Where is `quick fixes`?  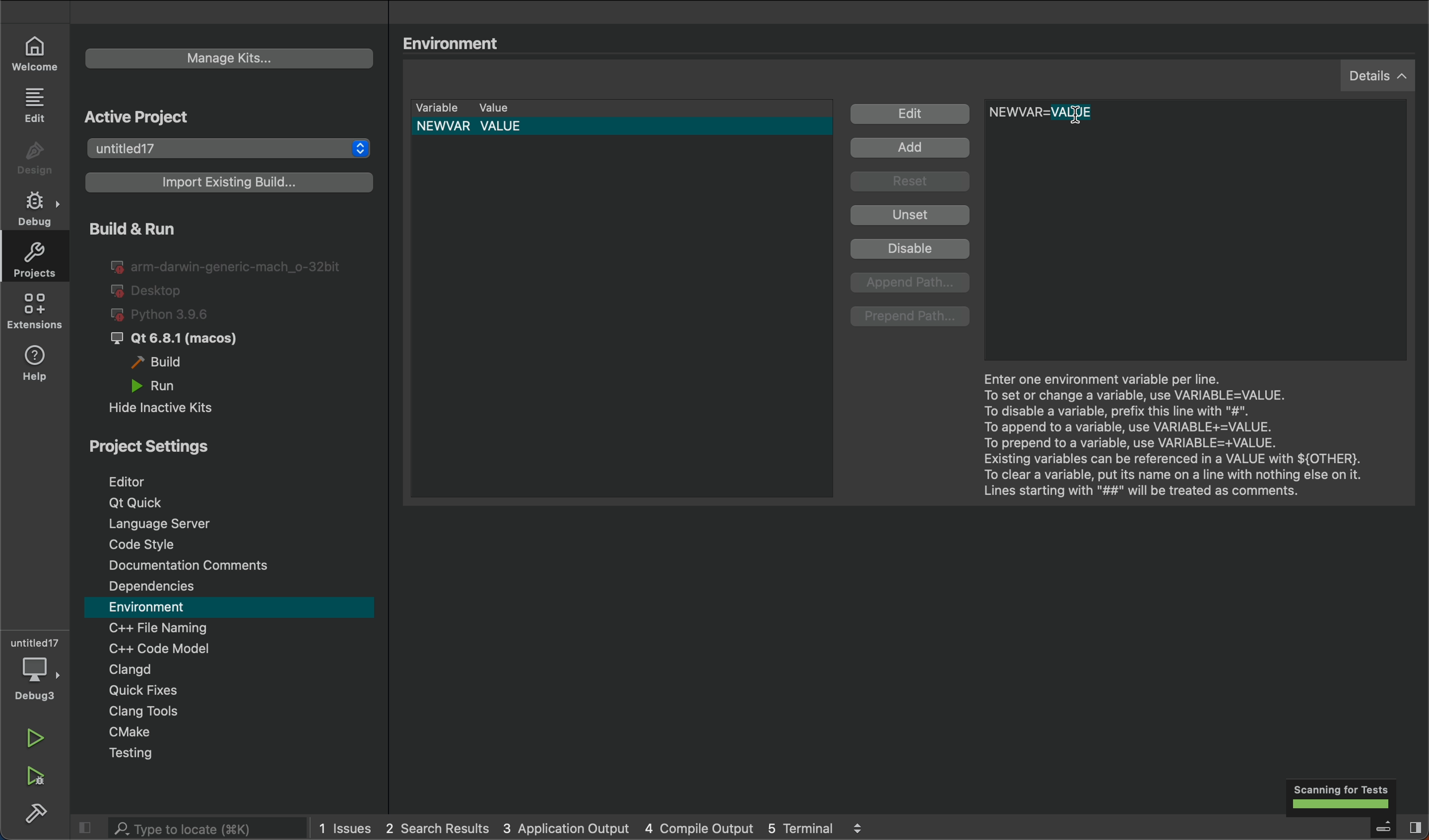
quick fixes is located at coordinates (231, 691).